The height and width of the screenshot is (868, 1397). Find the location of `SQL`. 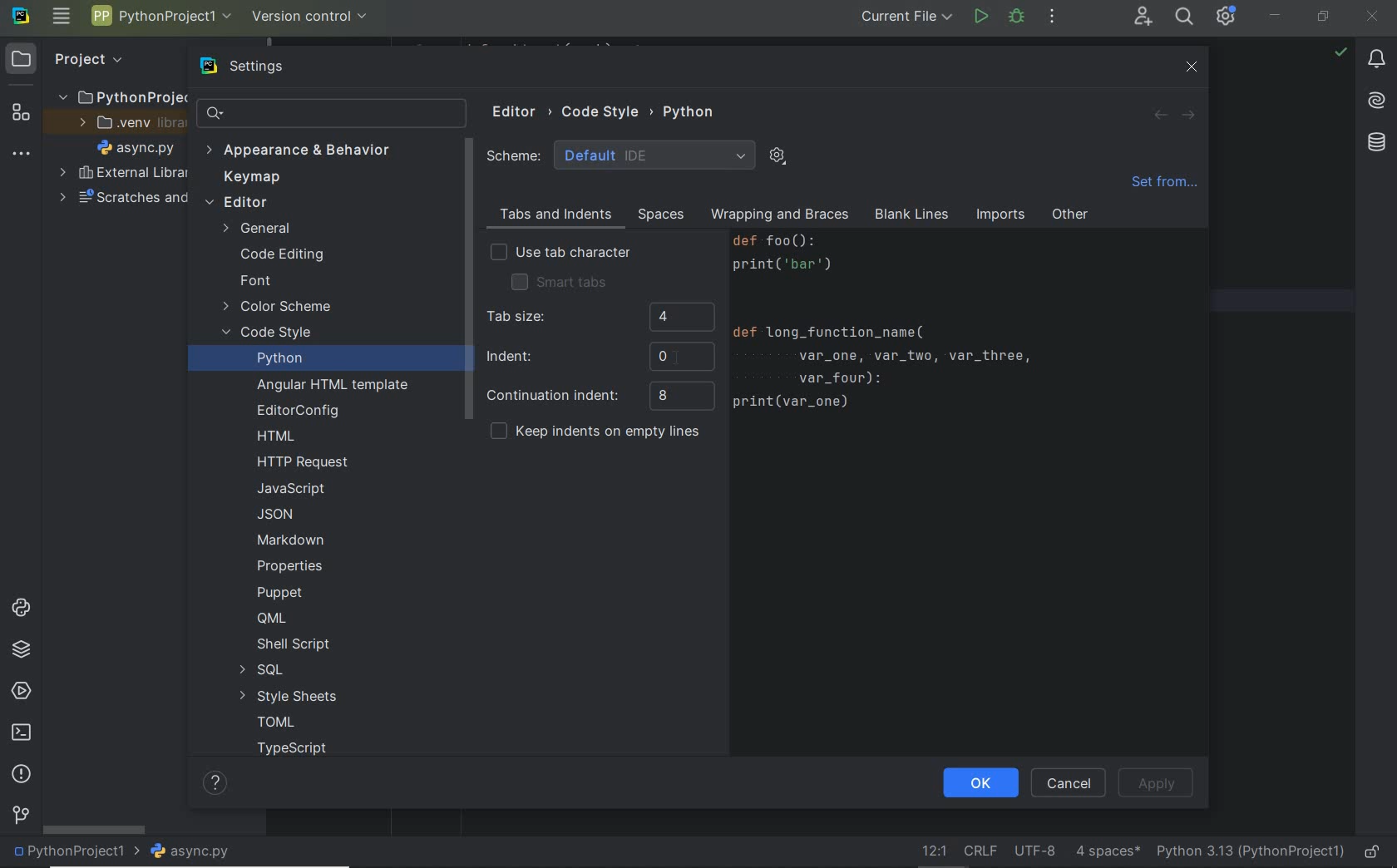

SQL is located at coordinates (259, 670).